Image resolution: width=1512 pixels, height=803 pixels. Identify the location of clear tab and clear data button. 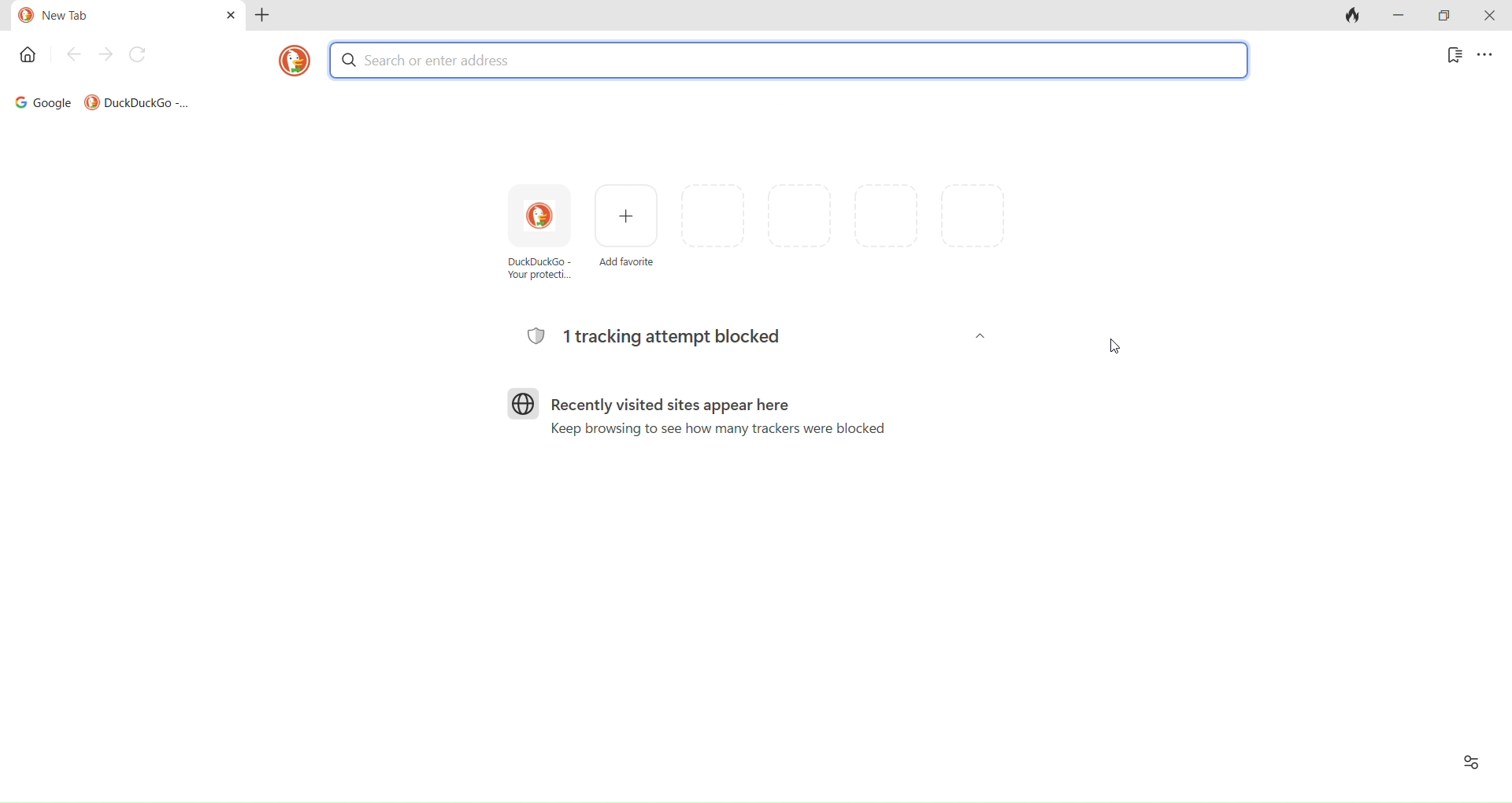
(1353, 17).